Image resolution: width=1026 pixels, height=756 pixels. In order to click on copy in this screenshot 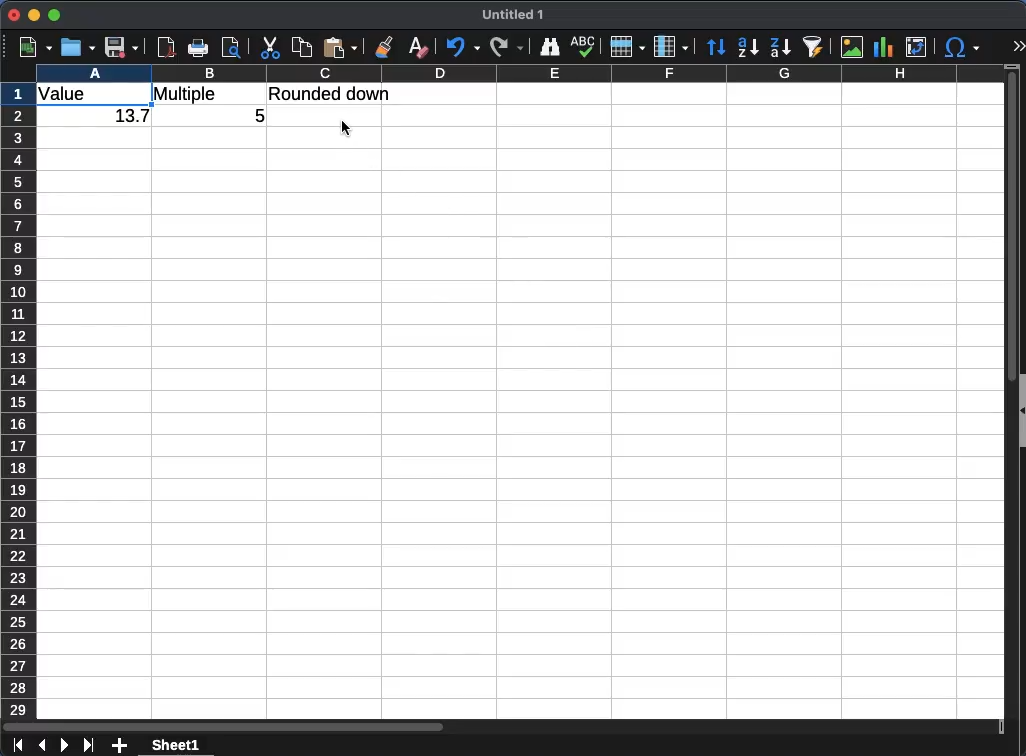, I will do `click(302, 48)`.